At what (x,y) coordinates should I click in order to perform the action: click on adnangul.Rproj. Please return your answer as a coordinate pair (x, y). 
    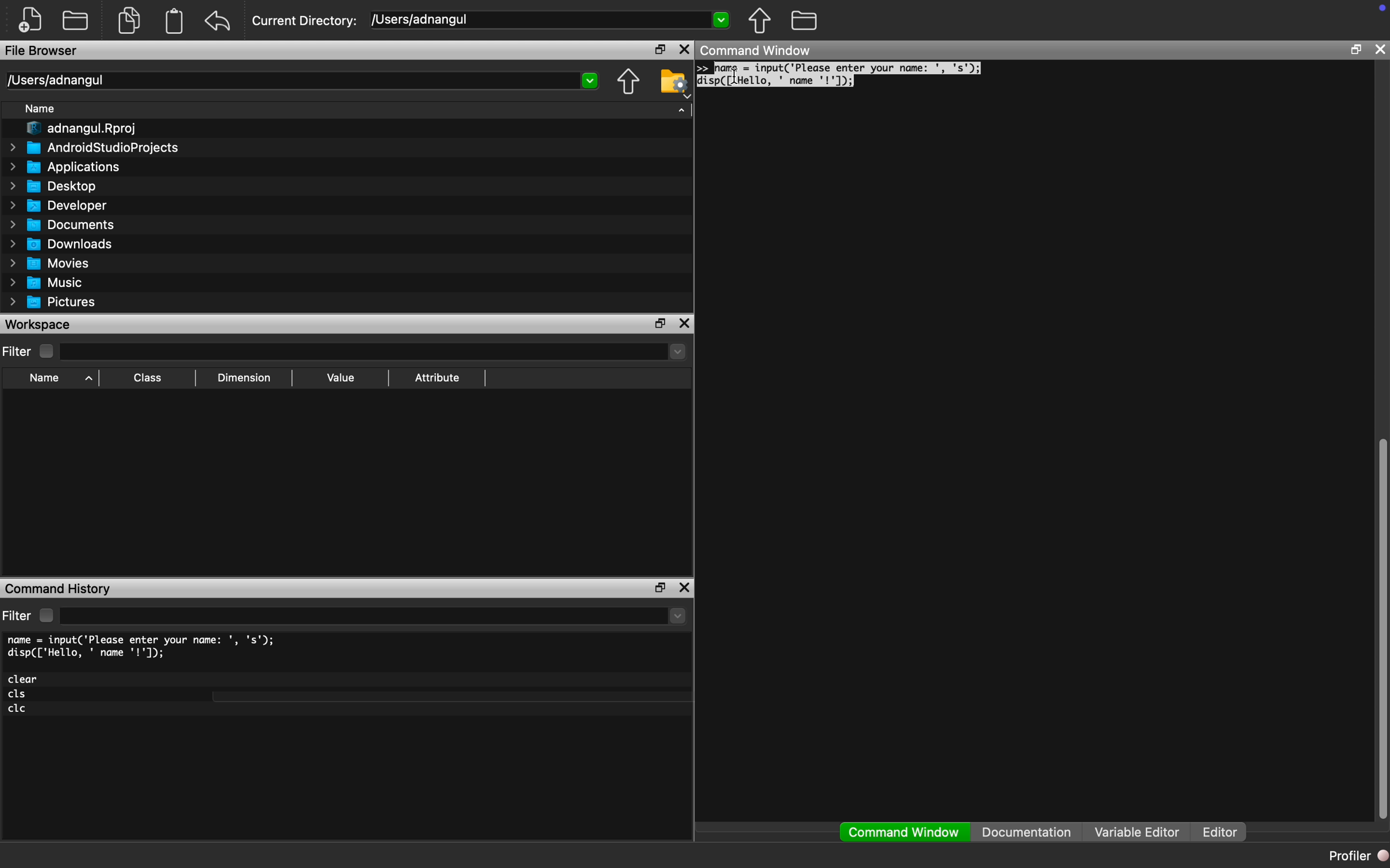
    Looking at the image, I should click on (83, 129).